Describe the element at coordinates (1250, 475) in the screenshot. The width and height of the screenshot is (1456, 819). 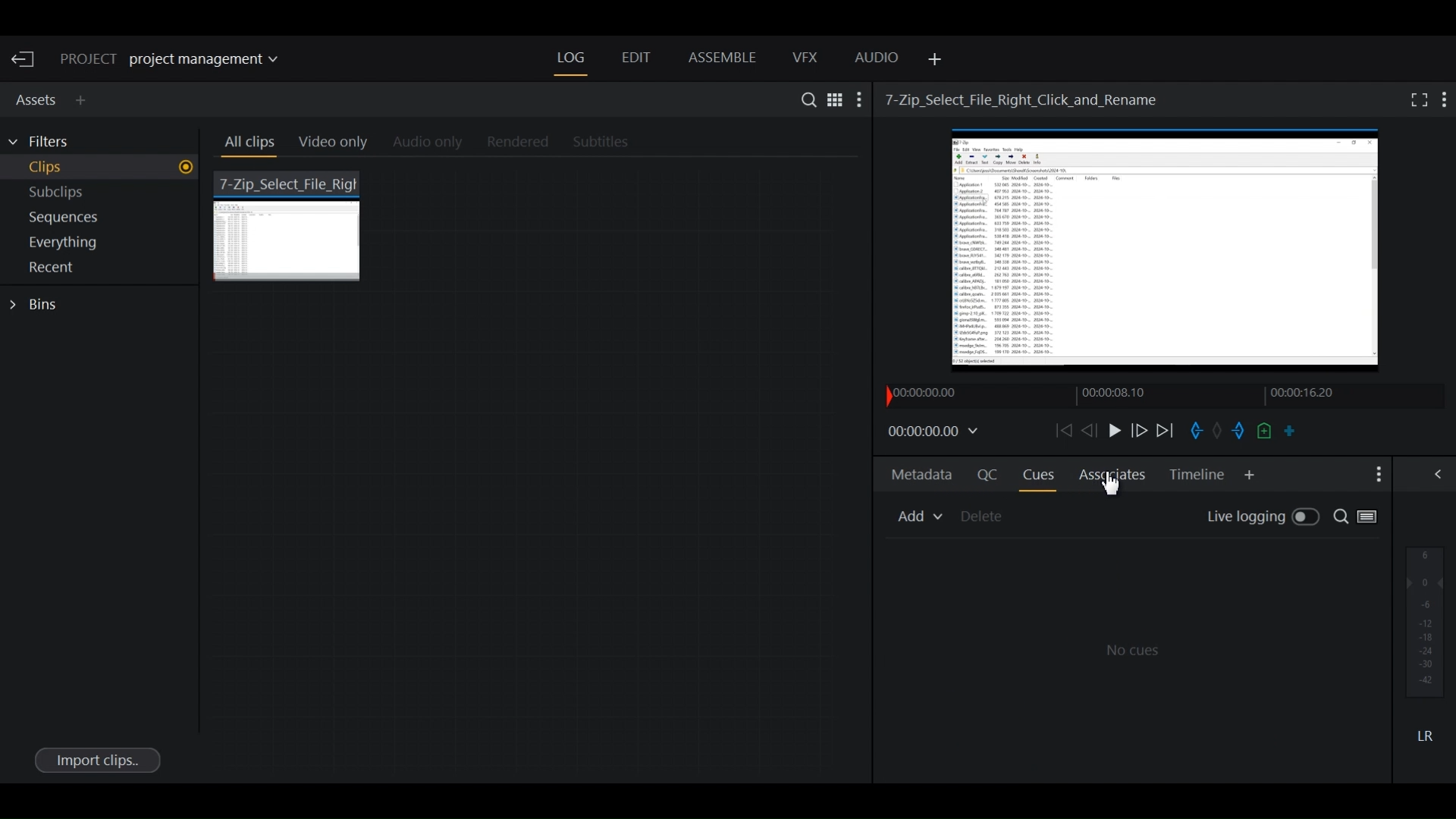
I see `Add Panel` at that location.